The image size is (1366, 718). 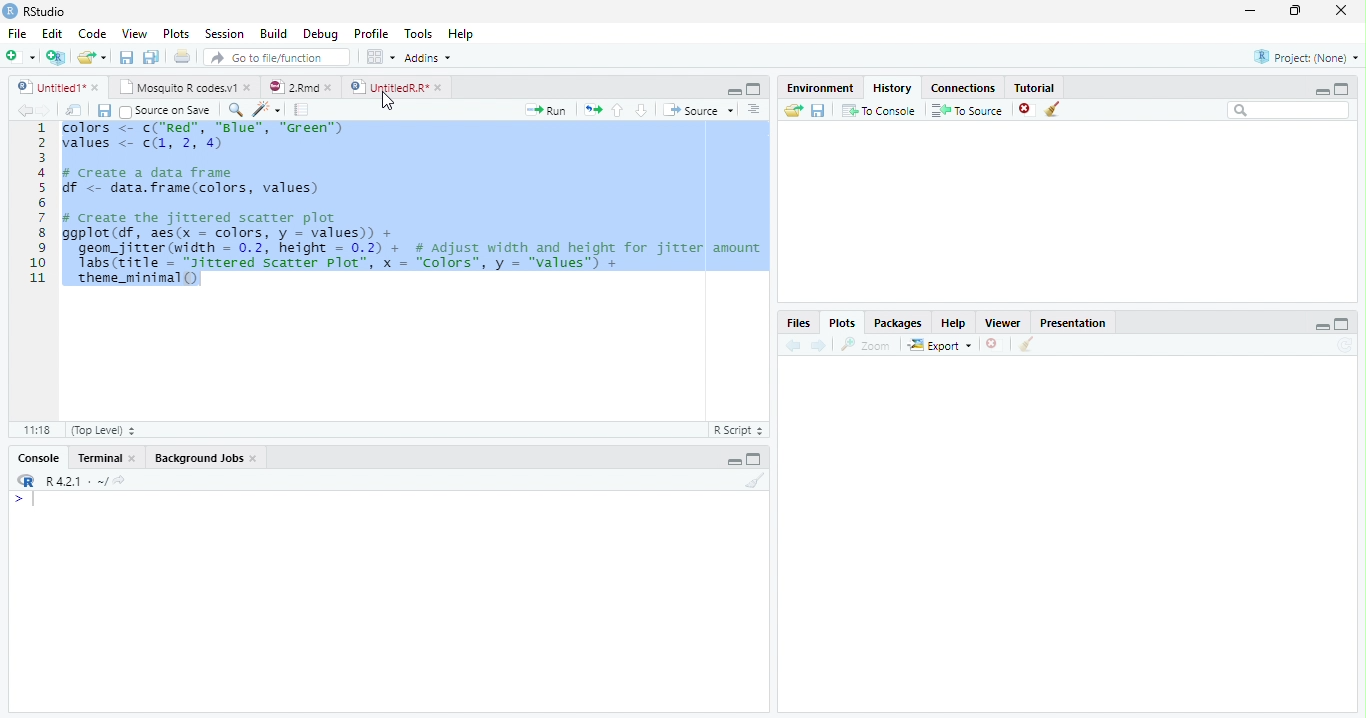 I want to click on Go to file/function, so click(x=277, y=57).